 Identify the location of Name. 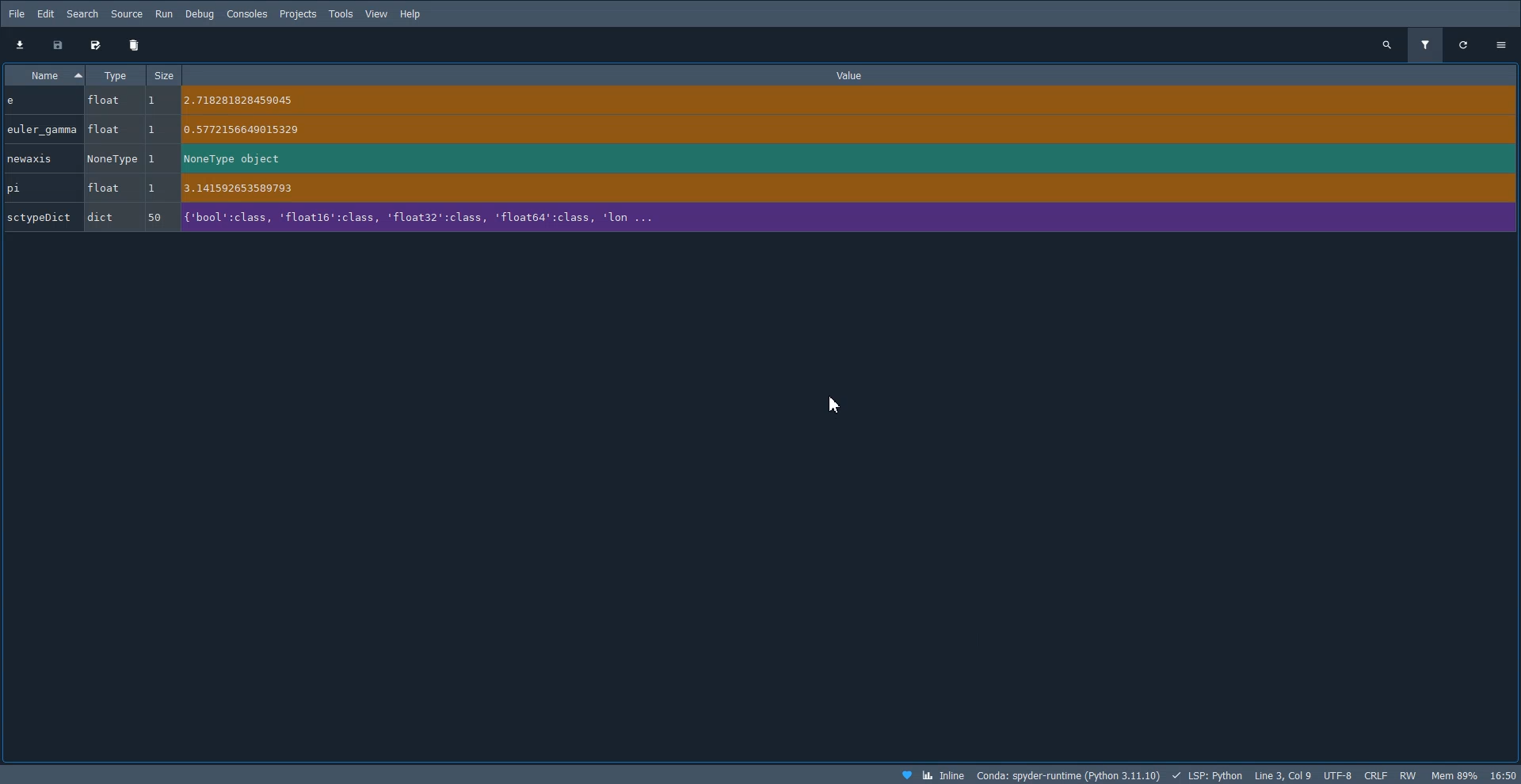
(44, 74).